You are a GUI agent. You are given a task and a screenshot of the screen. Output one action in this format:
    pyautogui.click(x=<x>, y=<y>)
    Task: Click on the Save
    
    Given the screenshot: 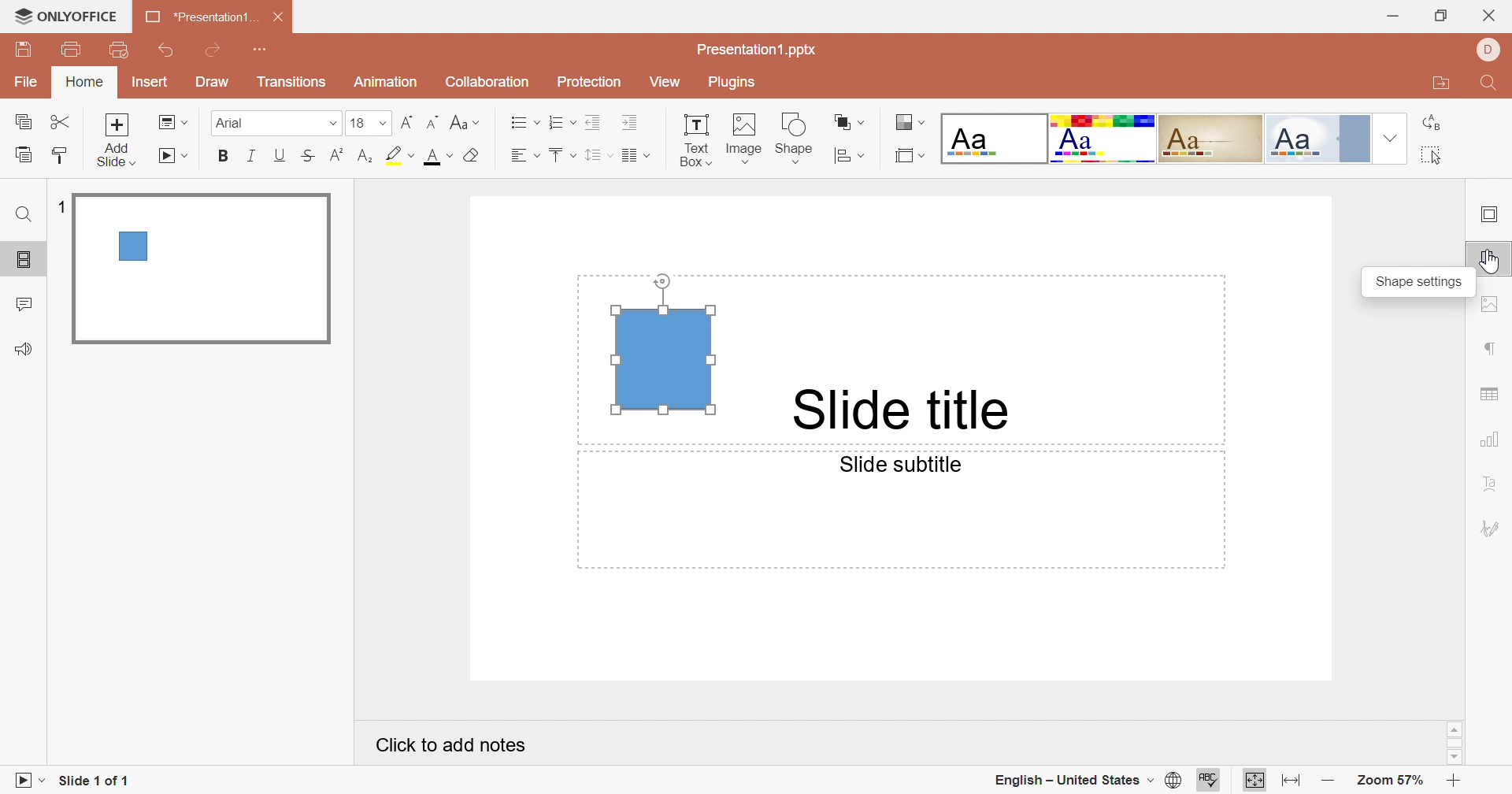 What is the action you would take?
    pyautogui.click(x=24, y=51)
    